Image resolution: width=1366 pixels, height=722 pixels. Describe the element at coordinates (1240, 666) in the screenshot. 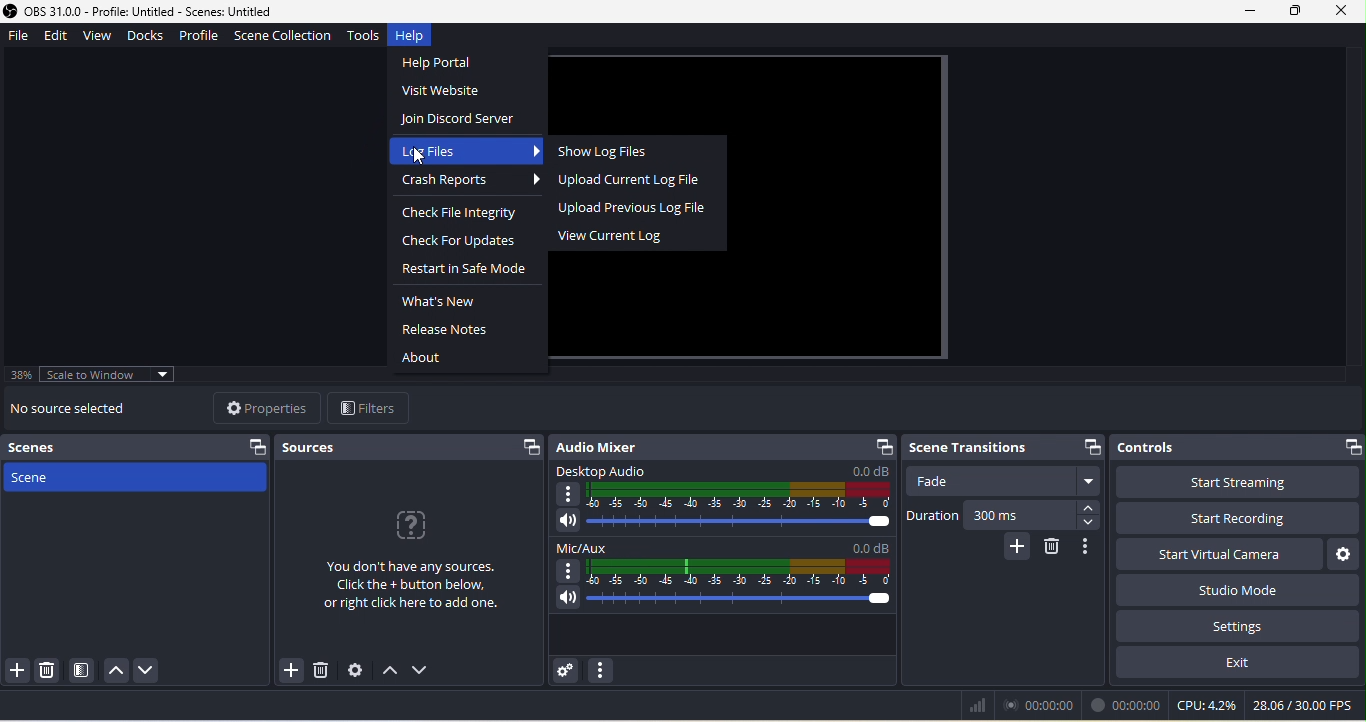

I see `exit` at that location.